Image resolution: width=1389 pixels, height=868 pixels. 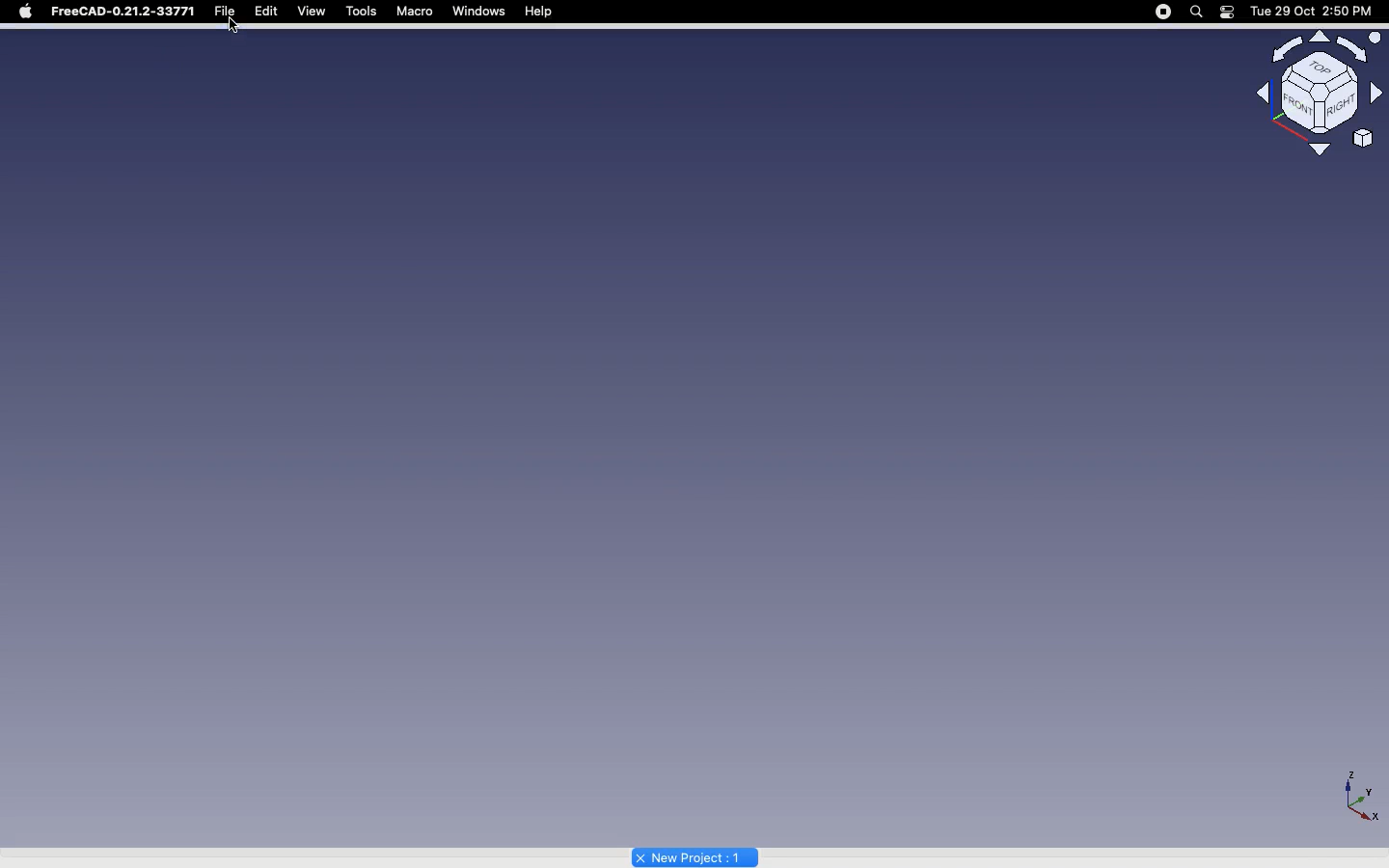 What do you see at coordinates (313, 11) in the screenshot?
I see `View` at bounding box center [313, 11].